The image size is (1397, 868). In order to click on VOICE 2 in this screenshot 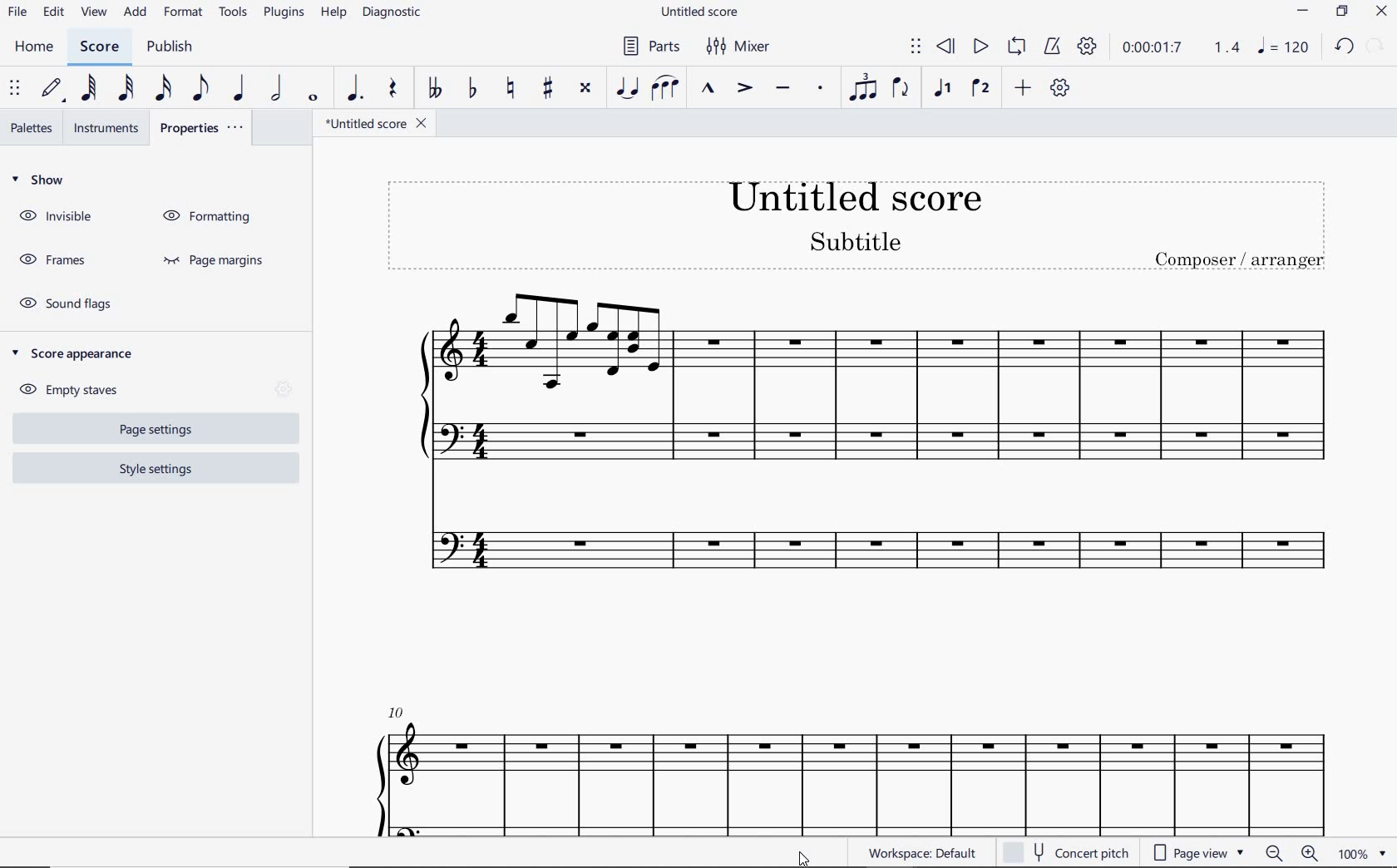, I will do `click(980, 89)`.